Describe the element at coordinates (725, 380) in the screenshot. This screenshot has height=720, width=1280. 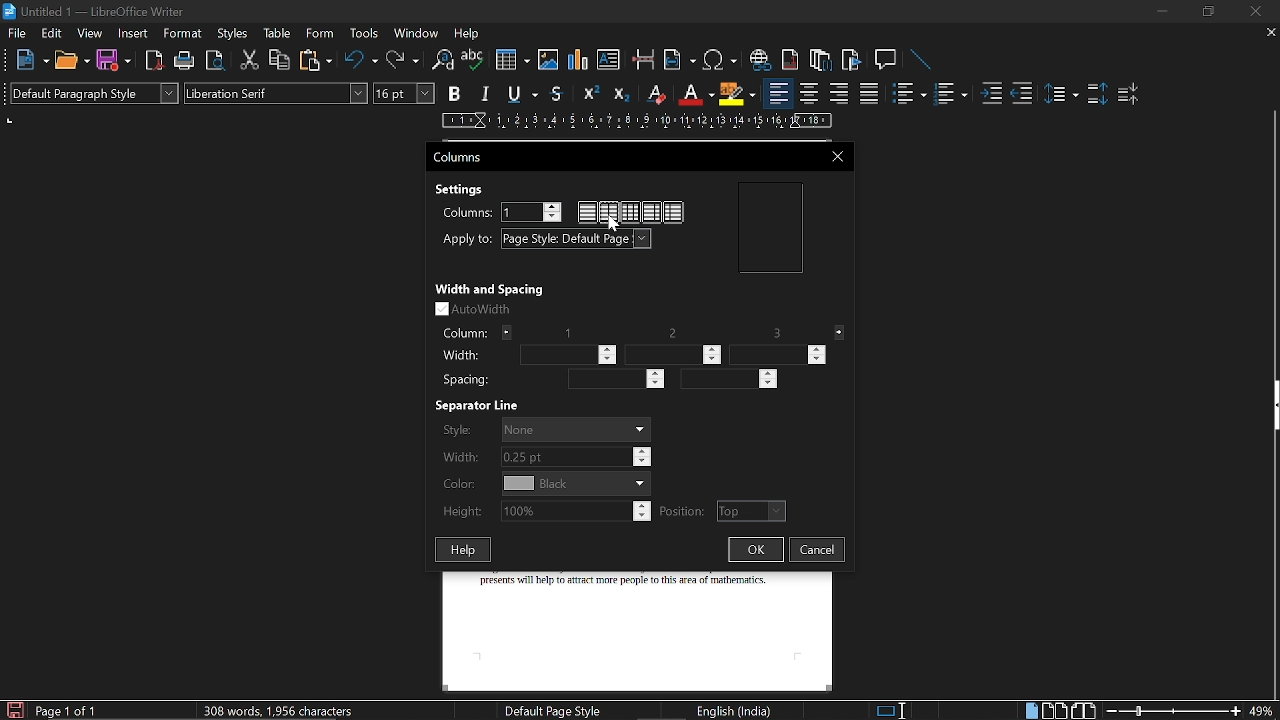
I see `Spacing 2` at that location.